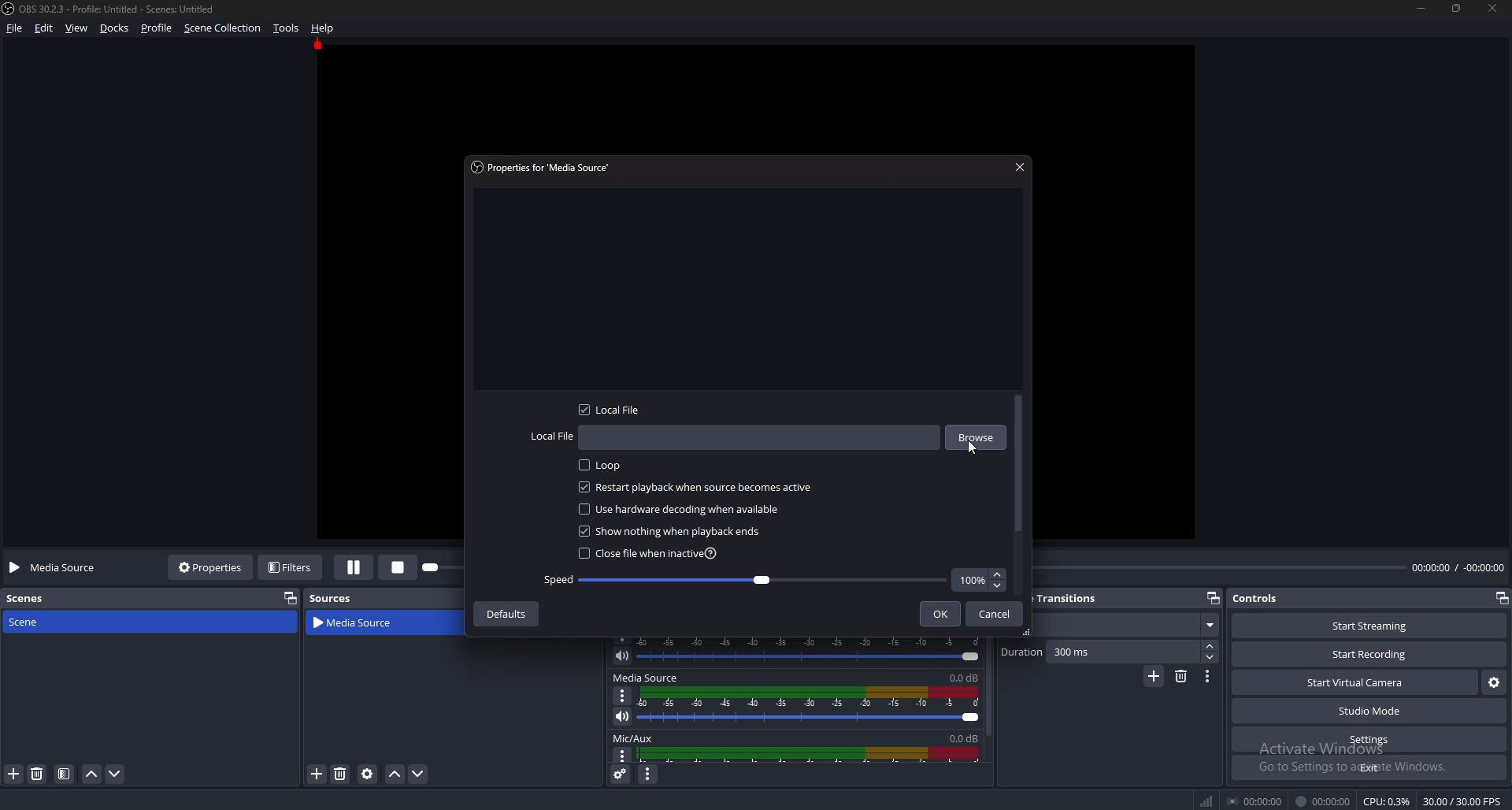 The image size is (1512, 810). What do you see at coordinates (369, 774) in the screenshot?
I see `Sources settings` at bounding box center [369, 774].